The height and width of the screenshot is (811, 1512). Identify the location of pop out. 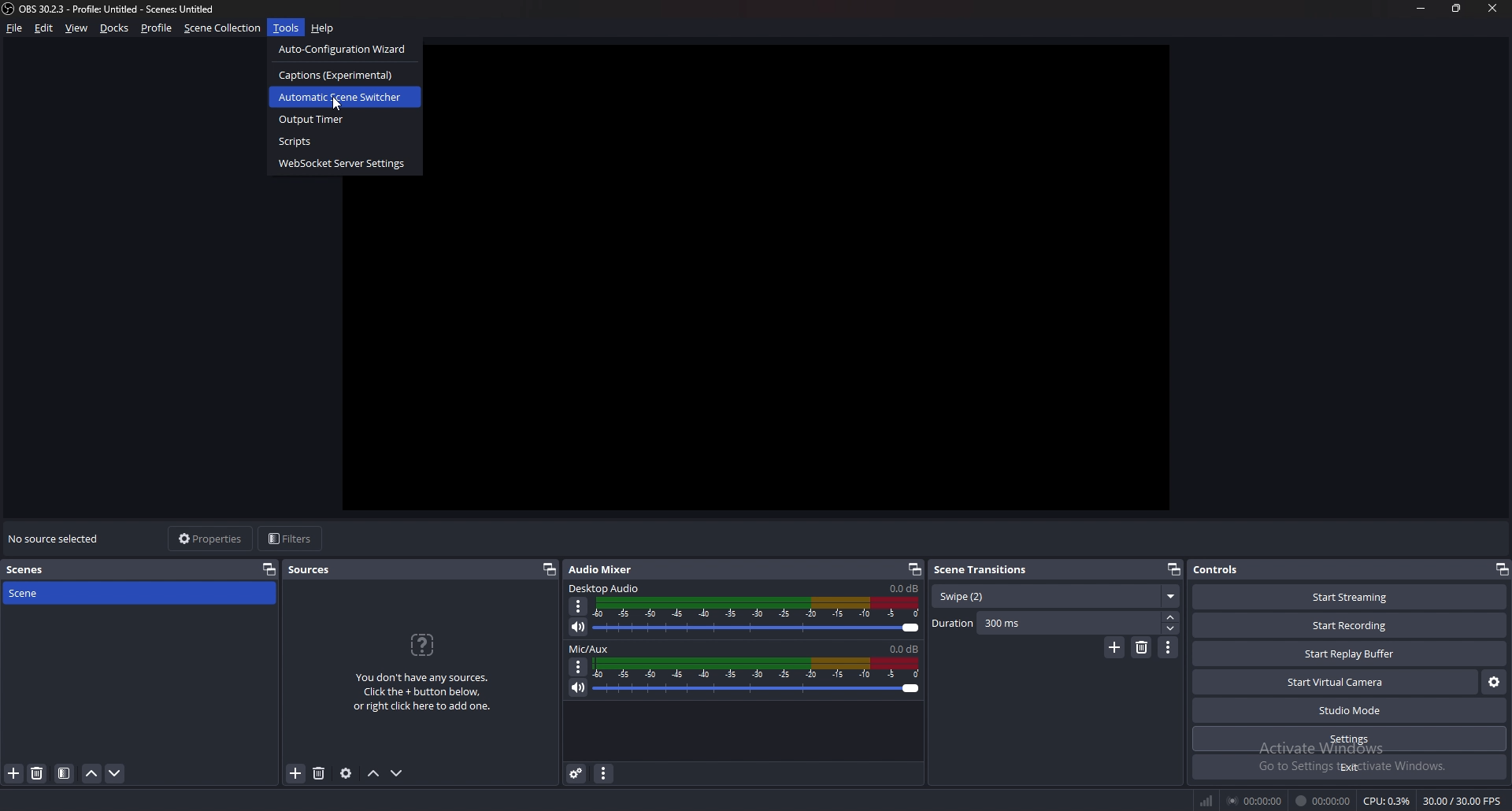
(548, 569).